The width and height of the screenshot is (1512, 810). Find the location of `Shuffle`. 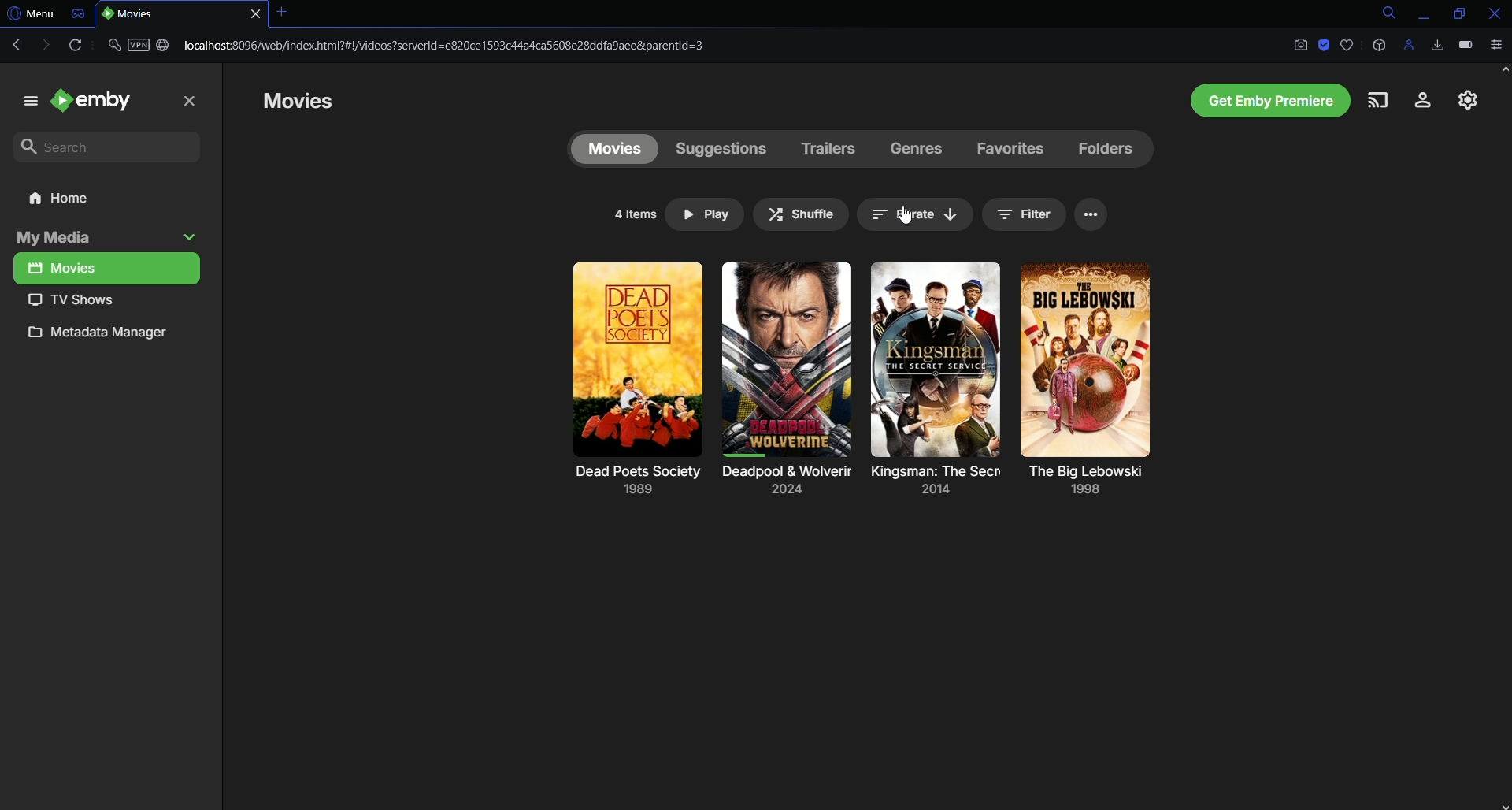

Shuffle is located at coordinates (801, 215).